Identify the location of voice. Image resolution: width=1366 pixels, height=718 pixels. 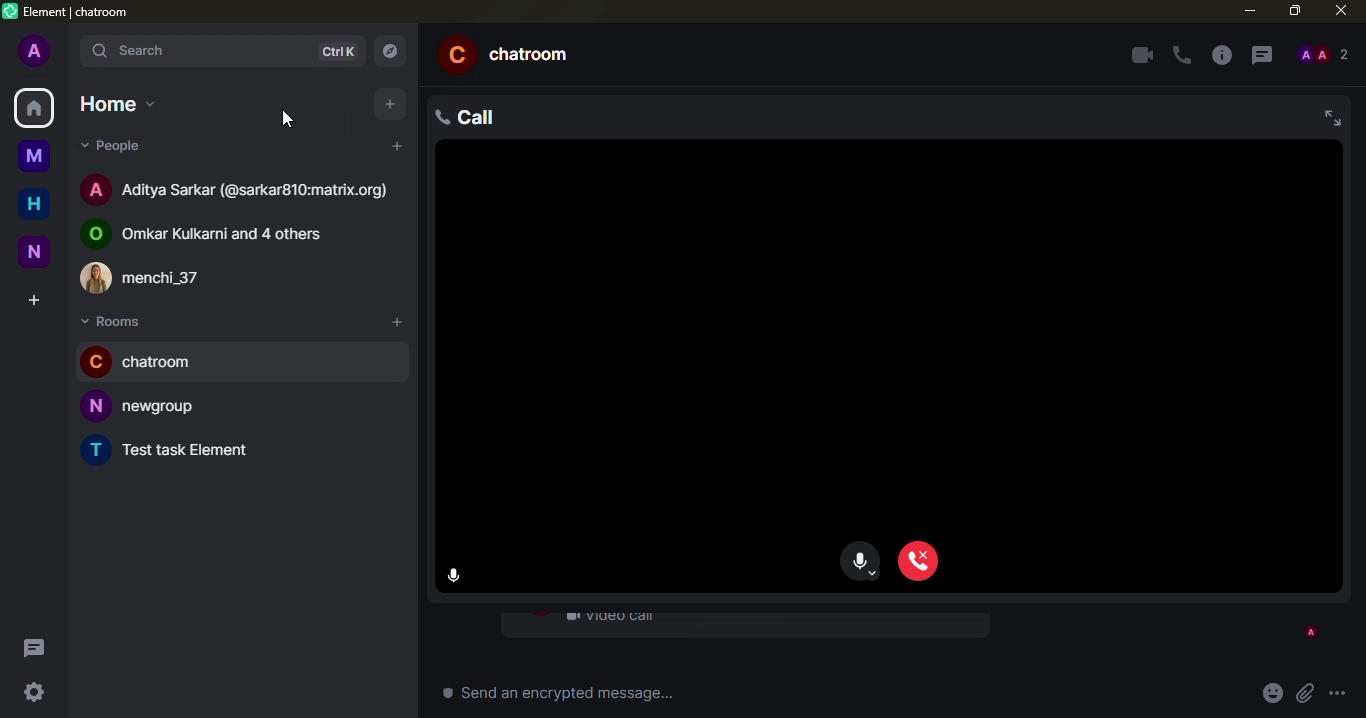
(863, 564).